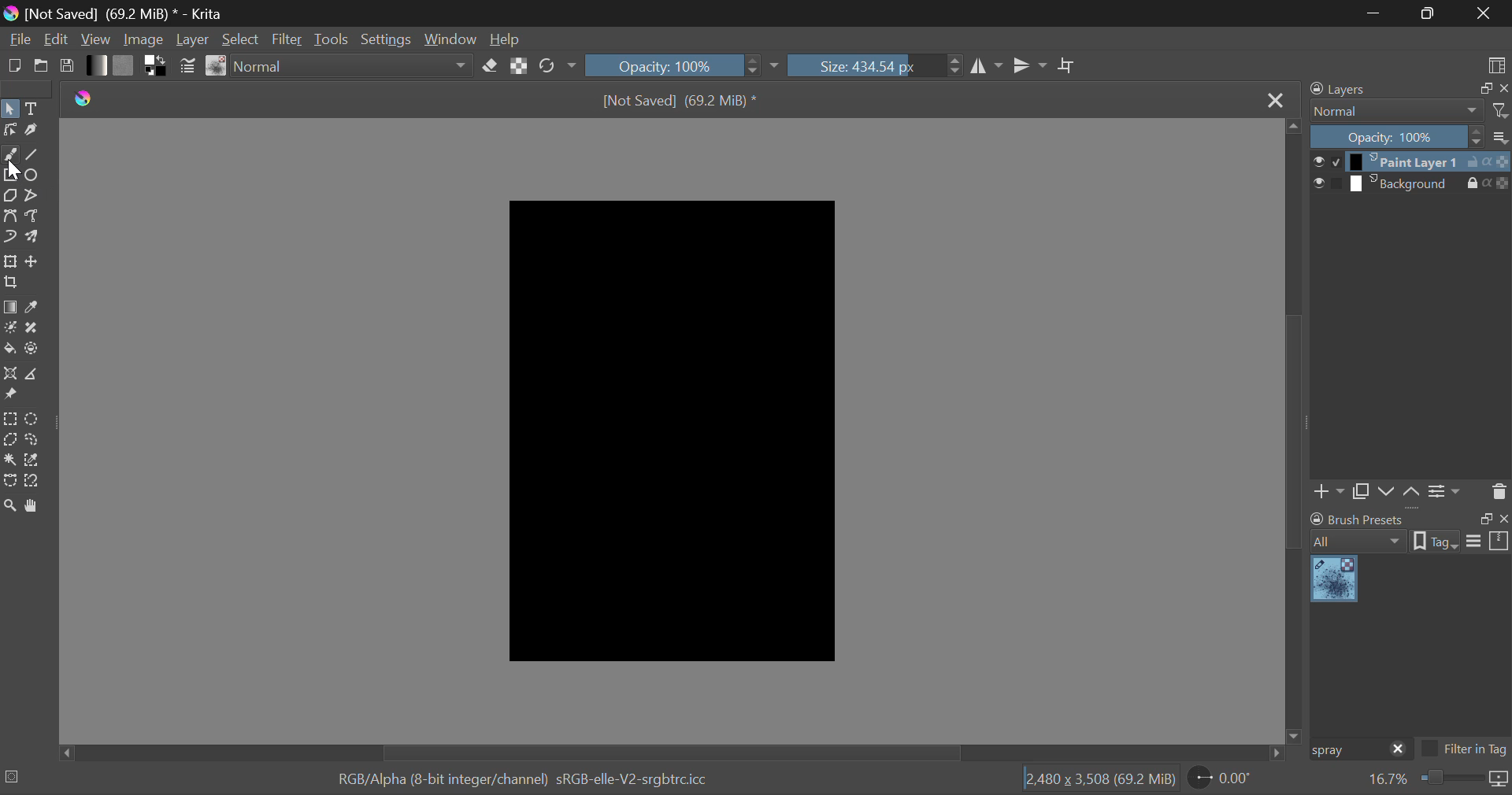 The height and width of the screenshot is (795, 1512). Describe the element at coordinates (680, 102) in the screenshot. I see `[Not Saved] (69.2 MiB) *` at that location.